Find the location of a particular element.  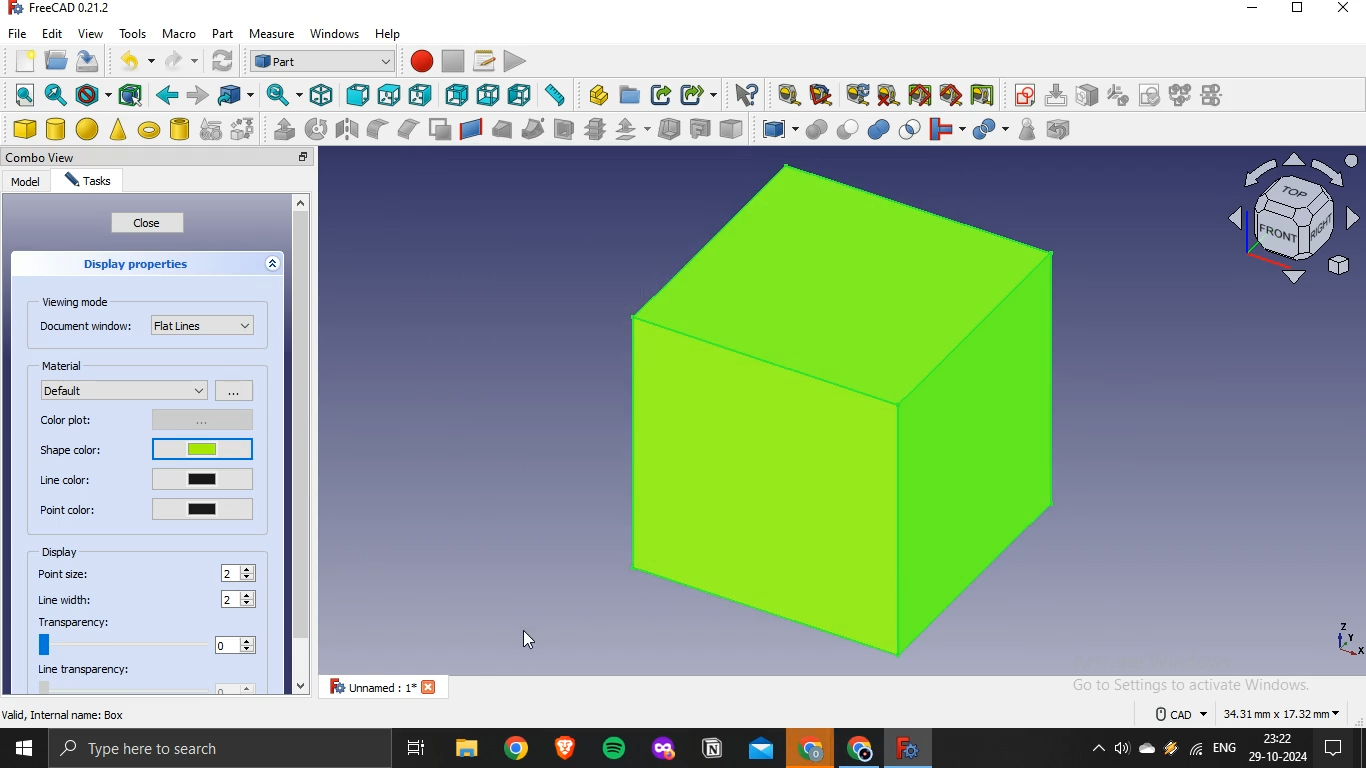

notion is located at coordinates (713, 750).